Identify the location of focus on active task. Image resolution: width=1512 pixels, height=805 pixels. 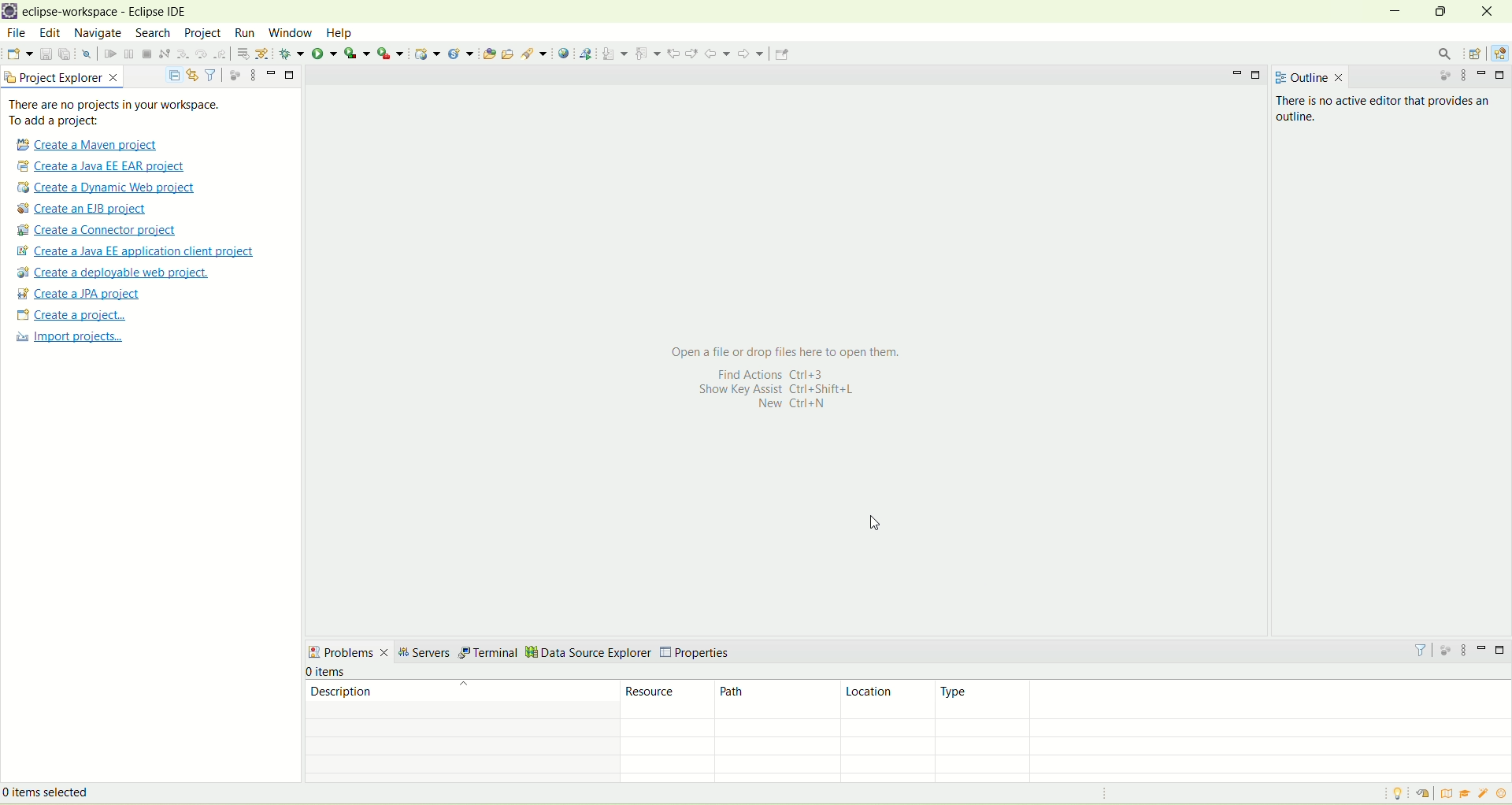
(233, 74).